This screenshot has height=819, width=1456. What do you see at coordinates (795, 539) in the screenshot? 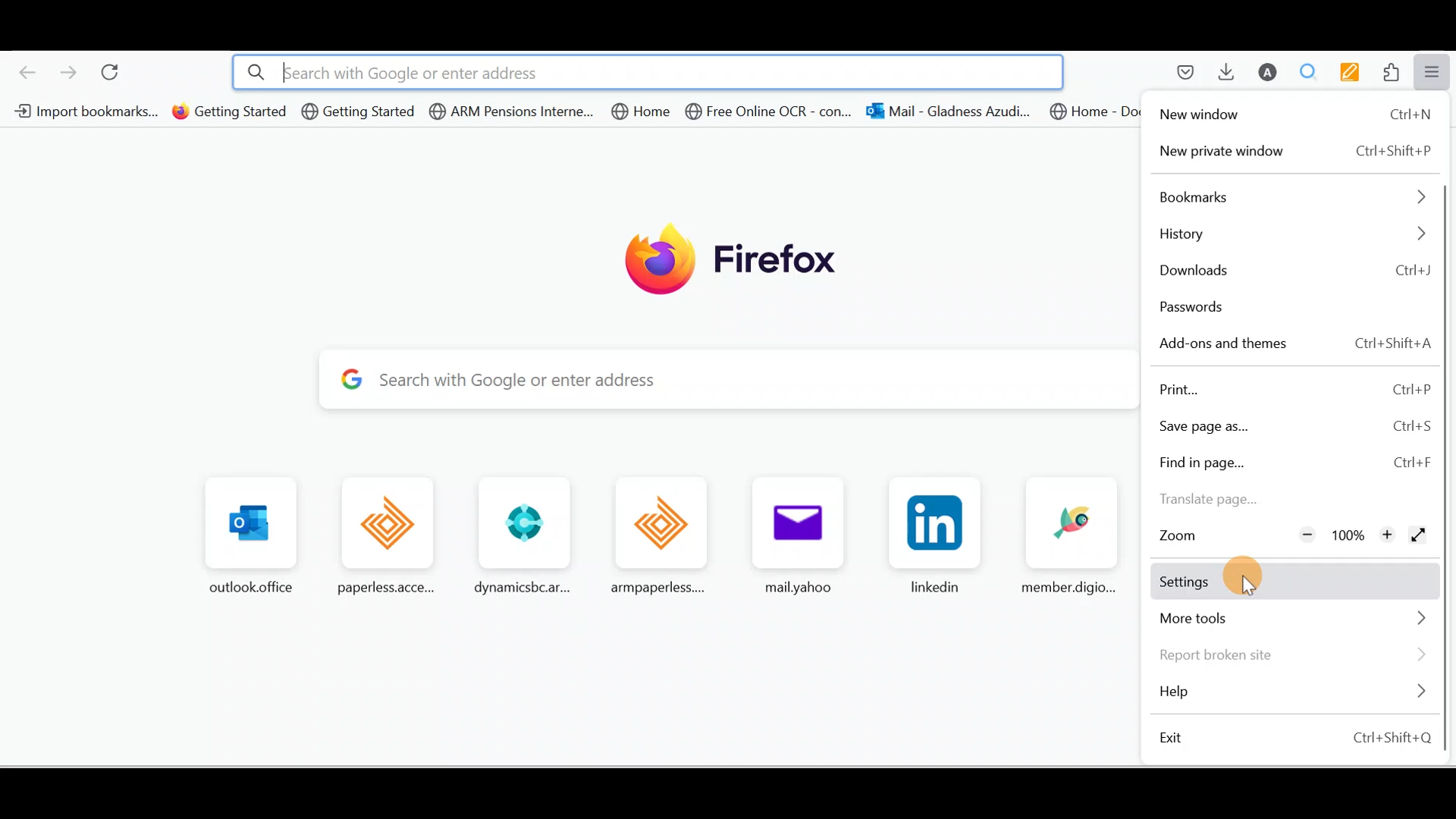
I see `mailyahoo` at bounding box center [795, 539].